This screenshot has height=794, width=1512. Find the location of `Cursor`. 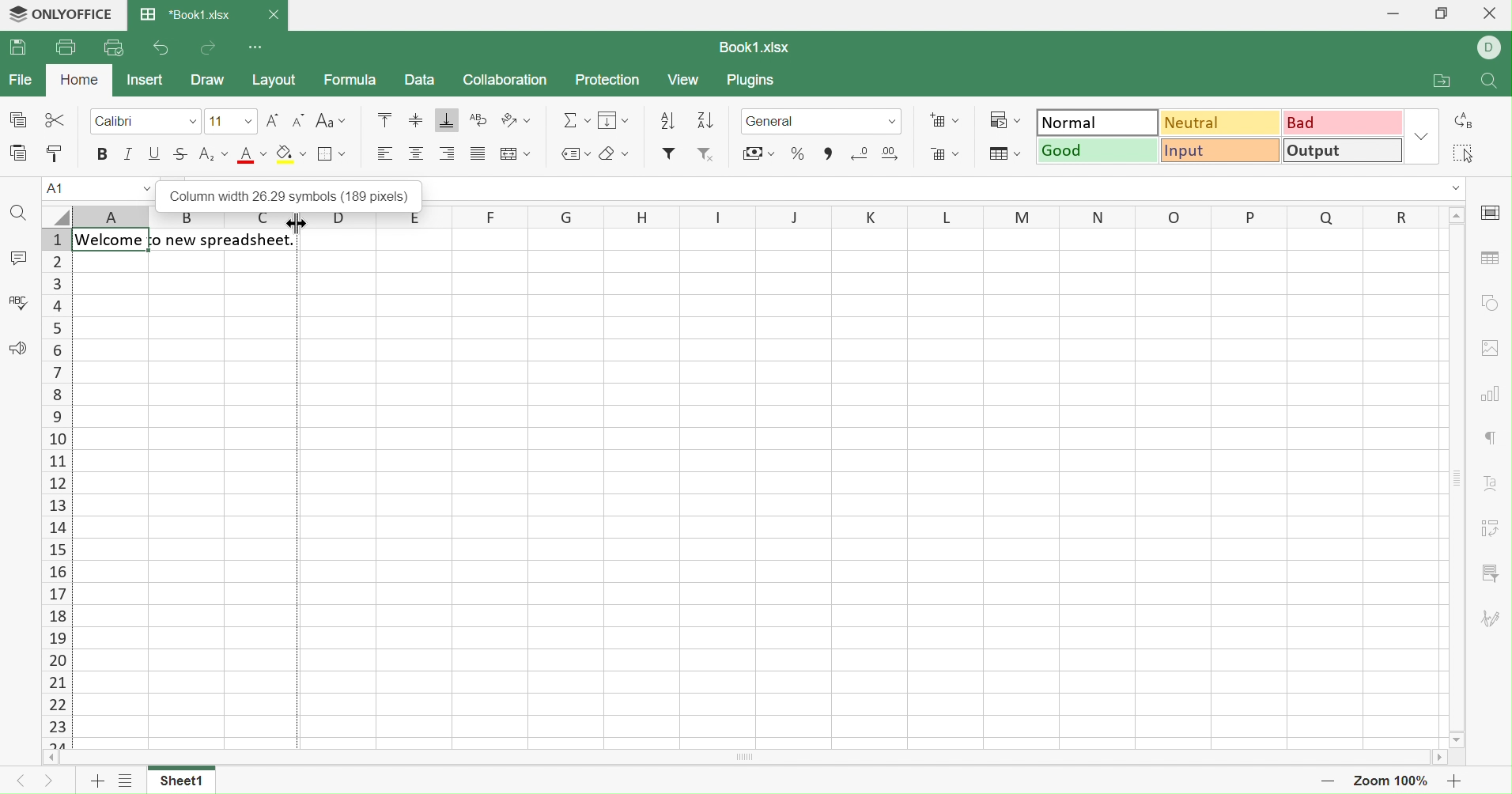

Cursor is located at coordinates (296, 224).